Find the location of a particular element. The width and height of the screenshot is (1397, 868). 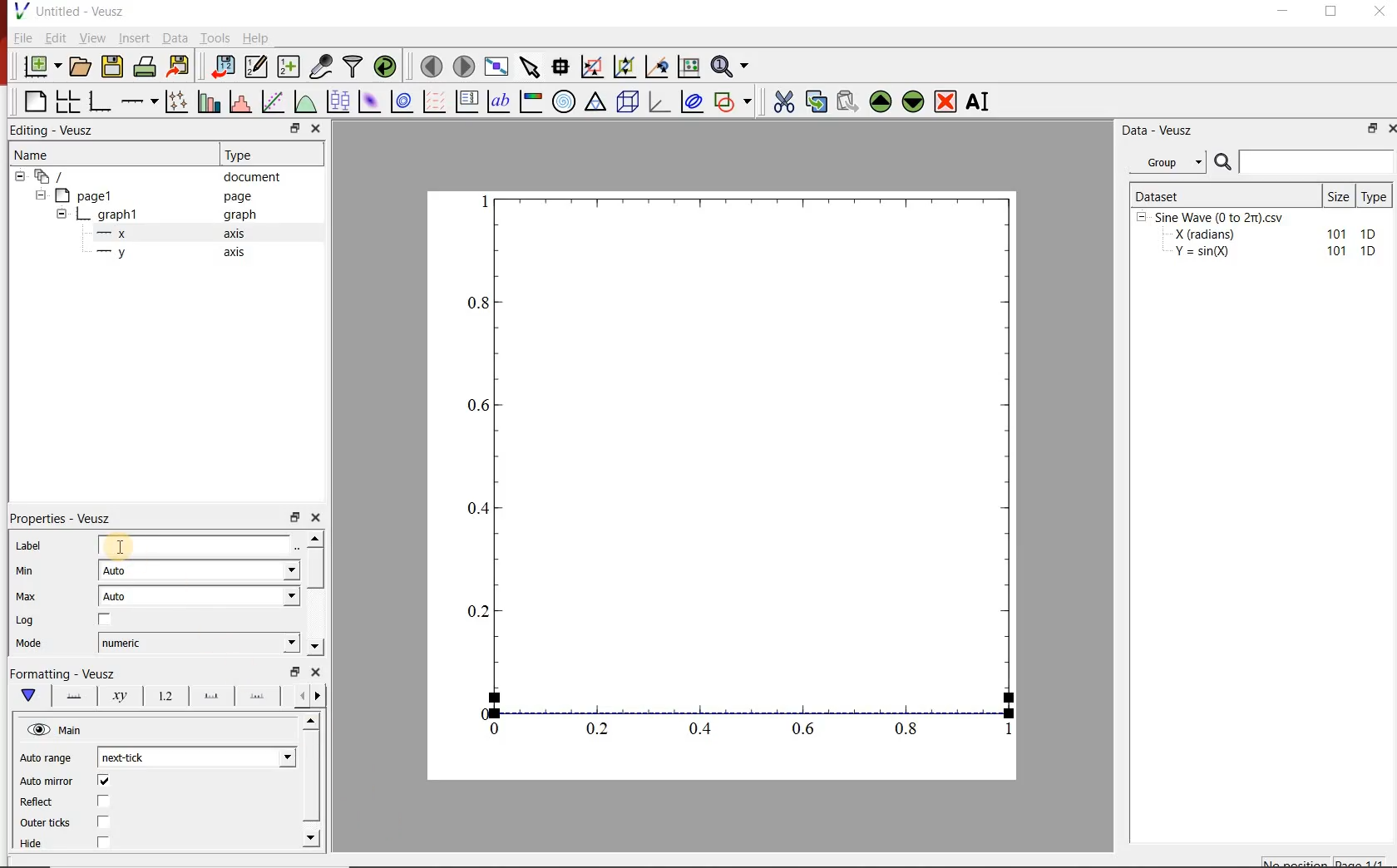

next-tick is located at coordinates (196, 756).